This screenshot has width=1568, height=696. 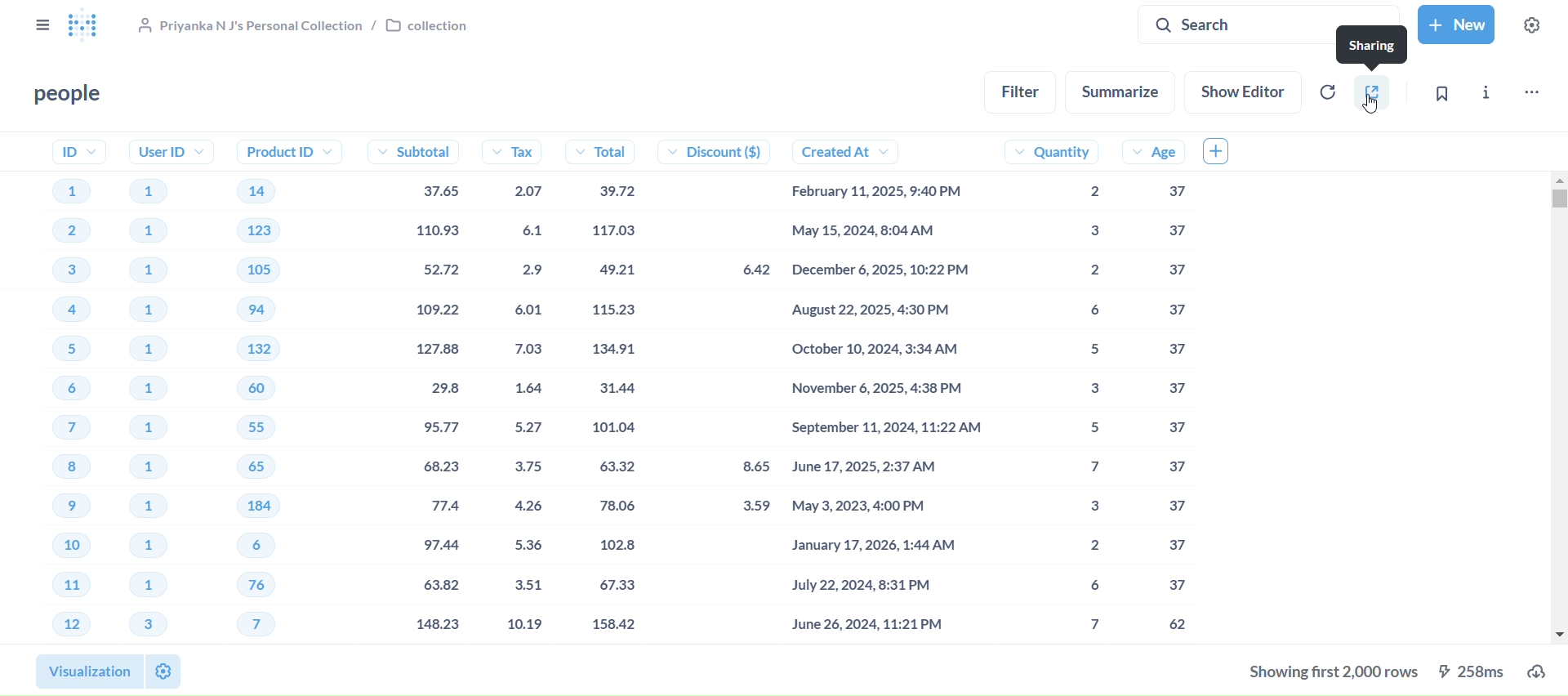 What do you see at coordinates (1269, 25) in the screenshot?
I see `search` at bounding box center [1269, 25].